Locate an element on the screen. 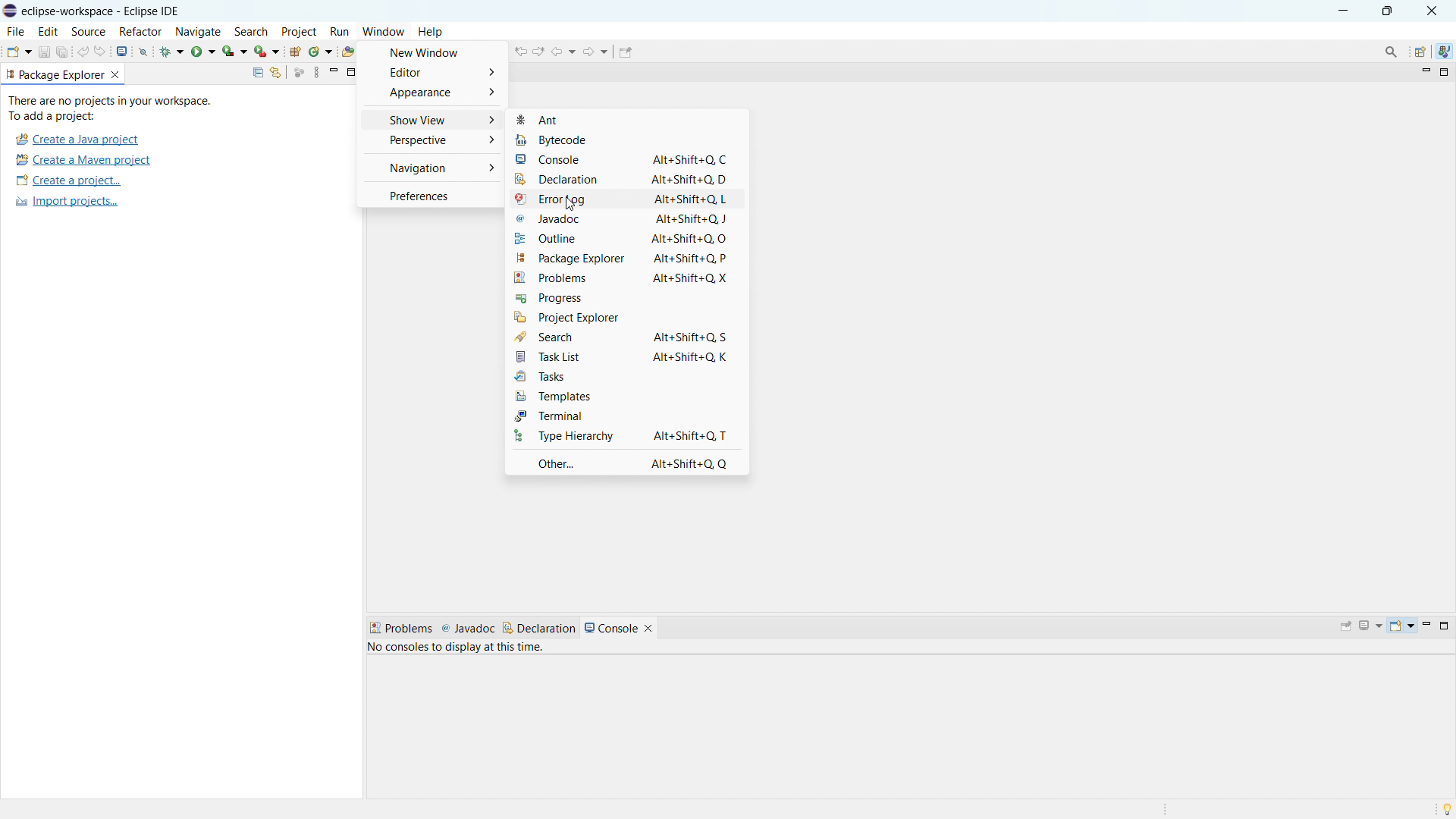  close button is located at coordinates (1436, 11).